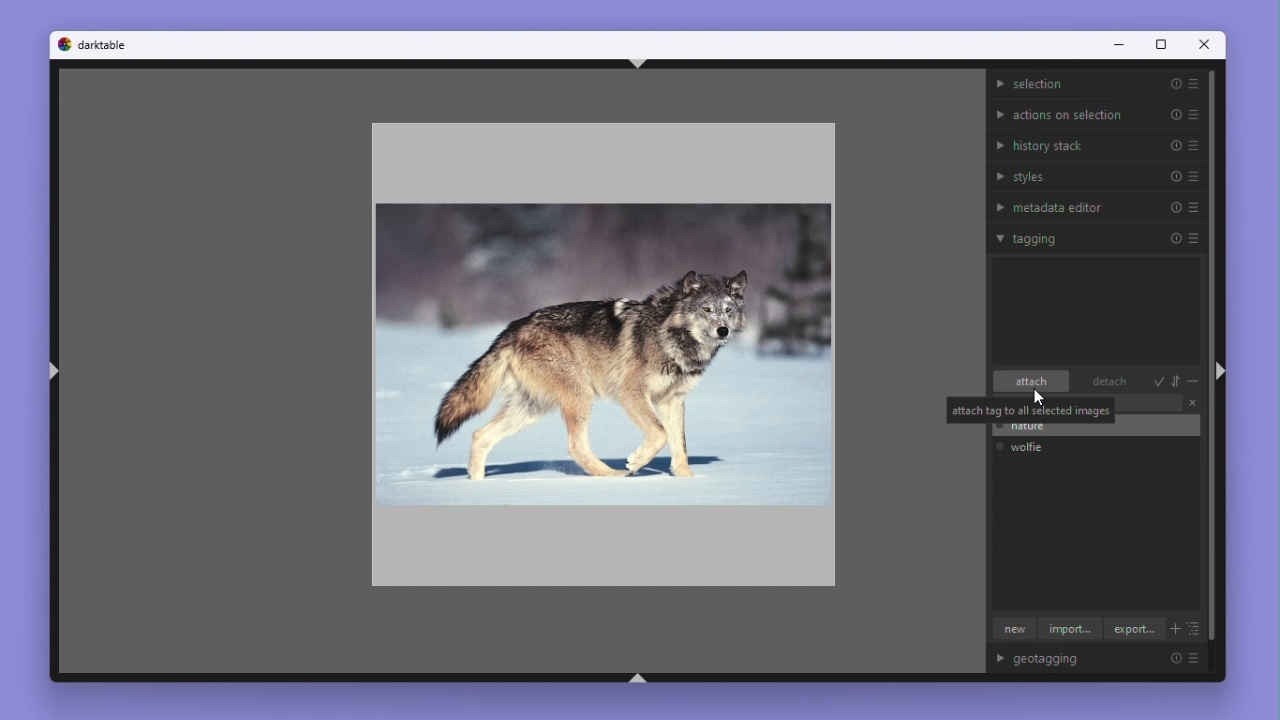 The height and width of the screenshot is (720, 1280). Describe the element at coordinates (1096, 144) in the screenshot. I see `History stack` at that location.